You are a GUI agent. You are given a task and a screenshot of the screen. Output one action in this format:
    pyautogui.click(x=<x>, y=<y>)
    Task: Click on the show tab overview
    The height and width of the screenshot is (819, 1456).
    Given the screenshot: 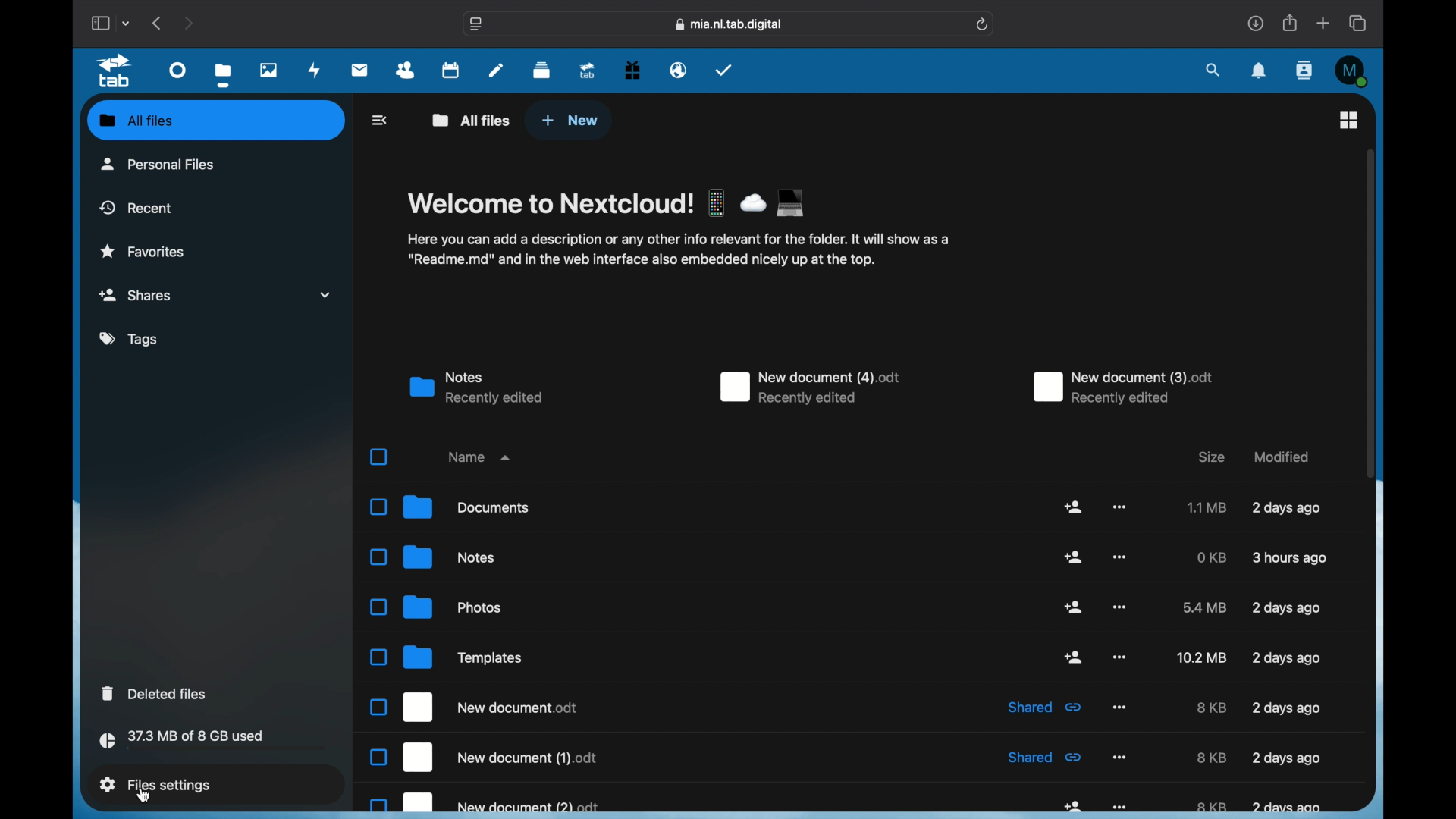 What is the action you would take?
    pyautogui.click(x=1359, y=24)
    